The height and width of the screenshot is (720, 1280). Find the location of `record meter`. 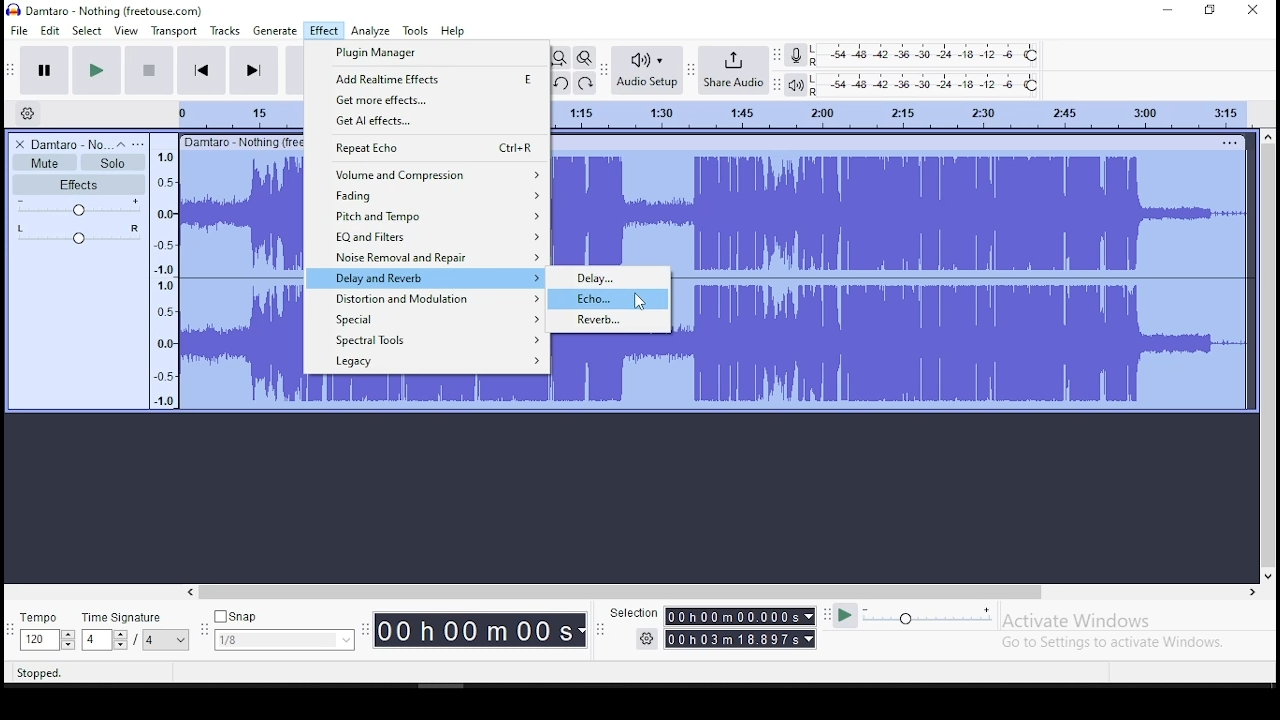

record meter is located at coordinates (796, 57).